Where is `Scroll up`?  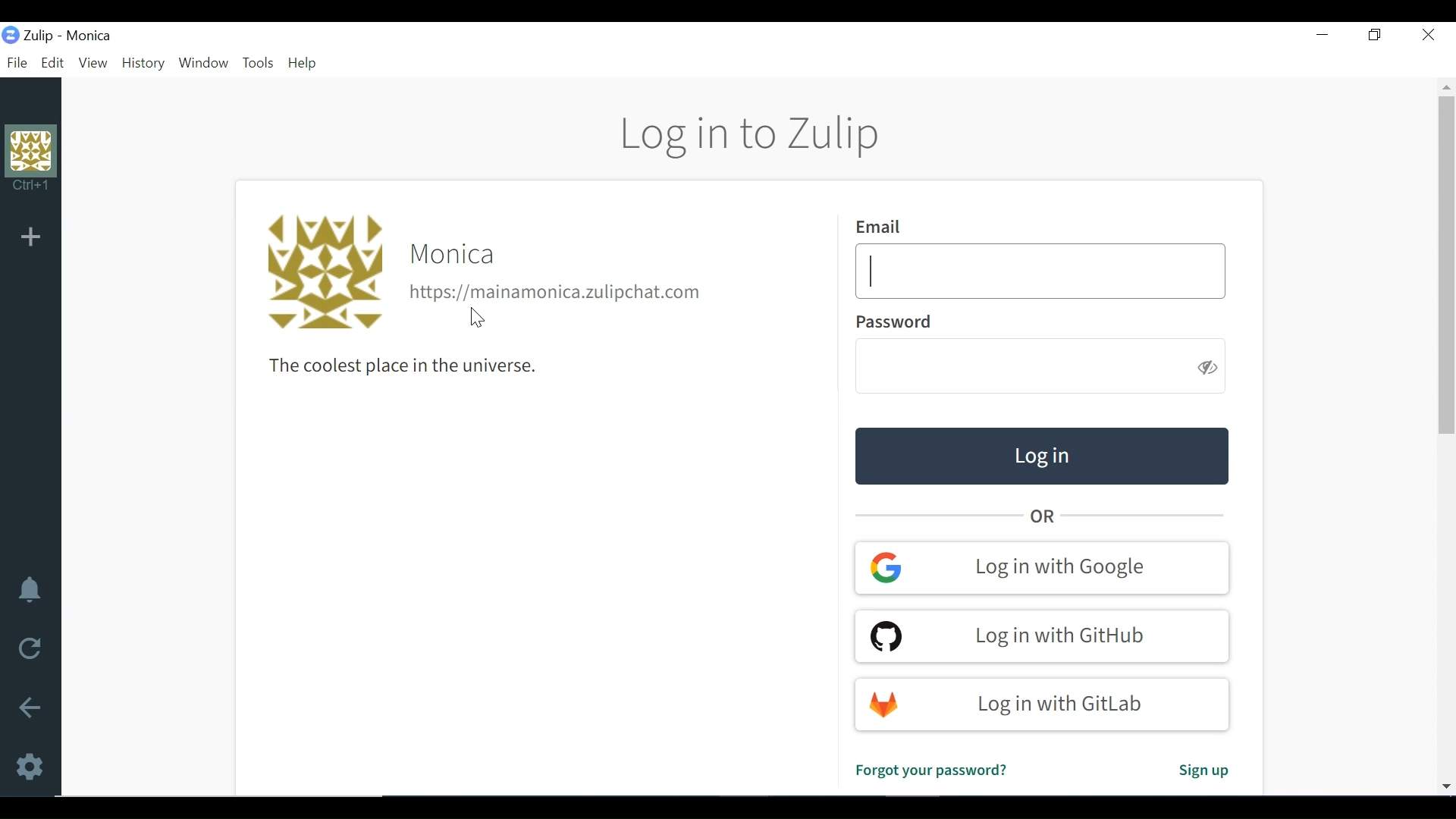
Scroll up is located at coordinates (1447, 86).